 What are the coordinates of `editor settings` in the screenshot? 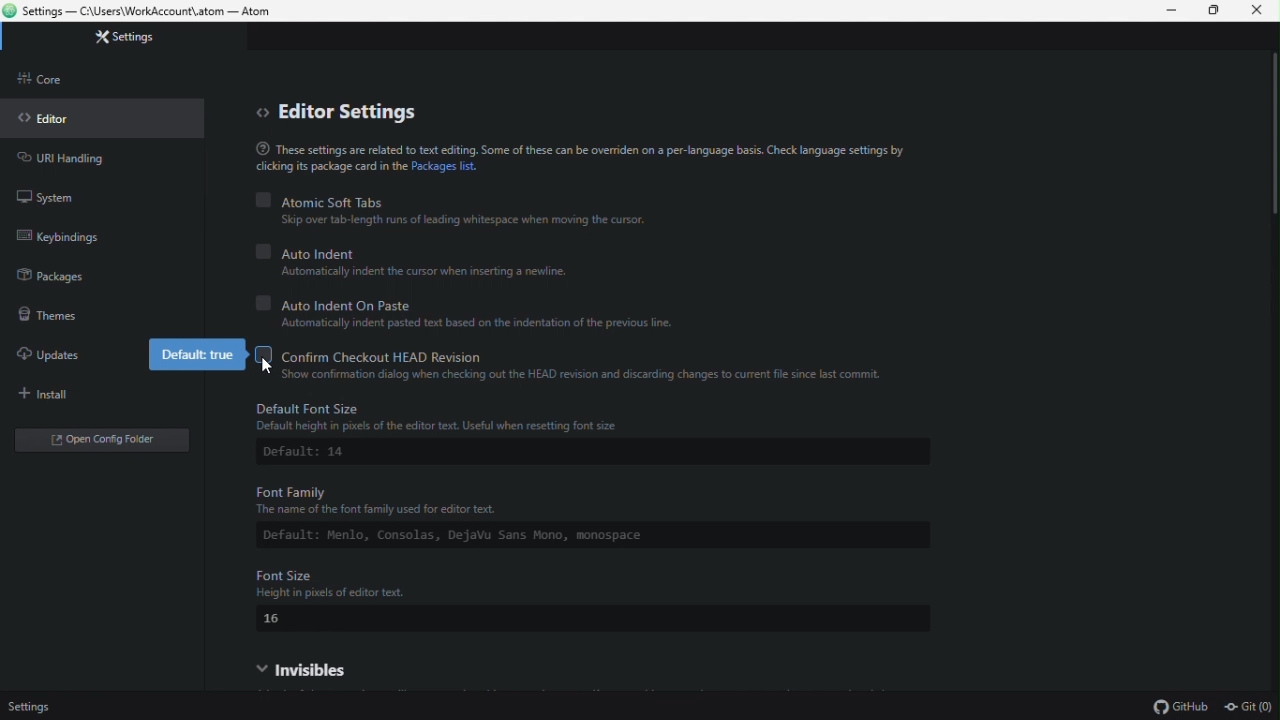 It's located at (341, 109).